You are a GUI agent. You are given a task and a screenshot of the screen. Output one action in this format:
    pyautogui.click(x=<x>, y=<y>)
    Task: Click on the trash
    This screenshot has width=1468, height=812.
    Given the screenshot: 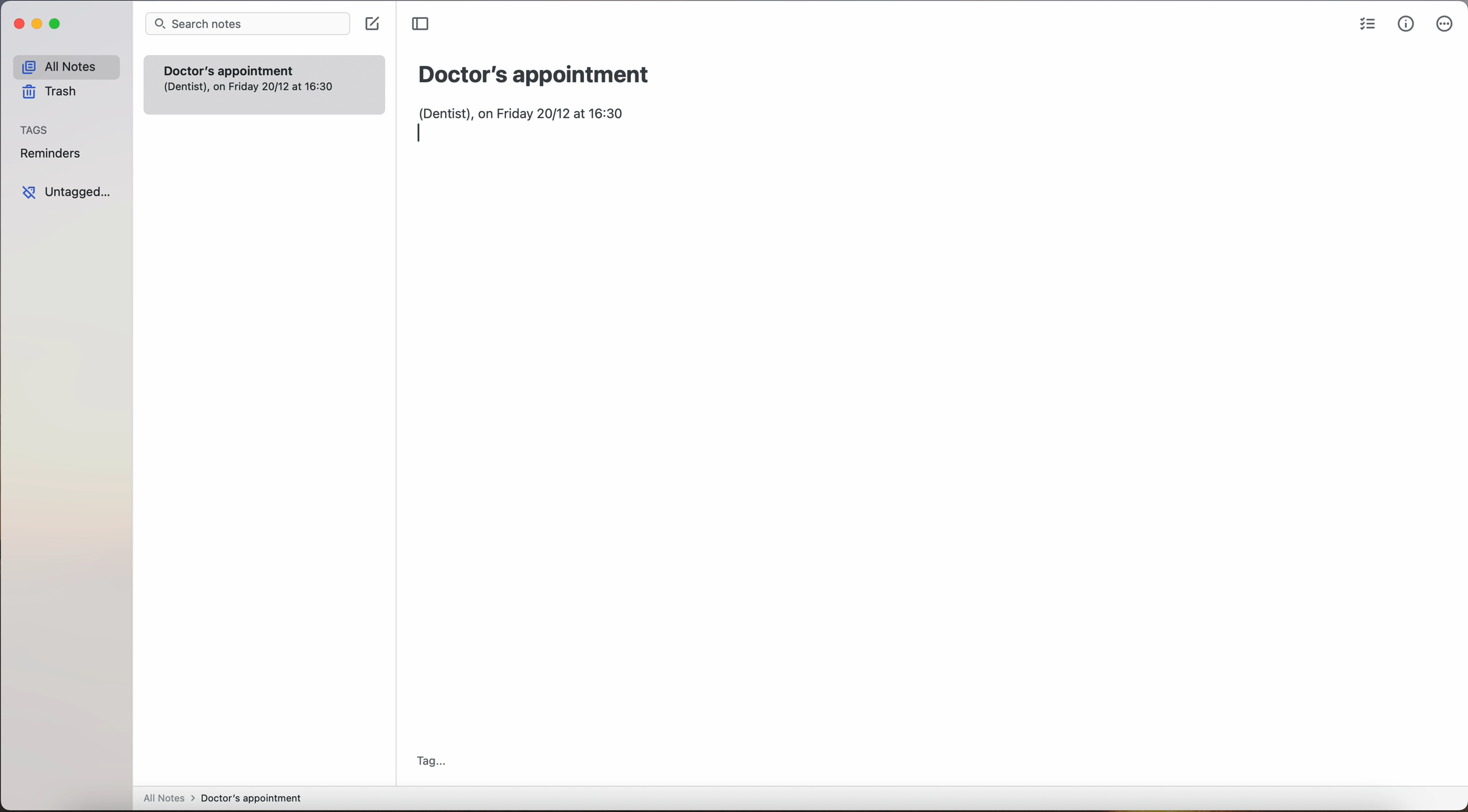 What is the action you would take?
    pyautogui.click(x=51, y=92)
    